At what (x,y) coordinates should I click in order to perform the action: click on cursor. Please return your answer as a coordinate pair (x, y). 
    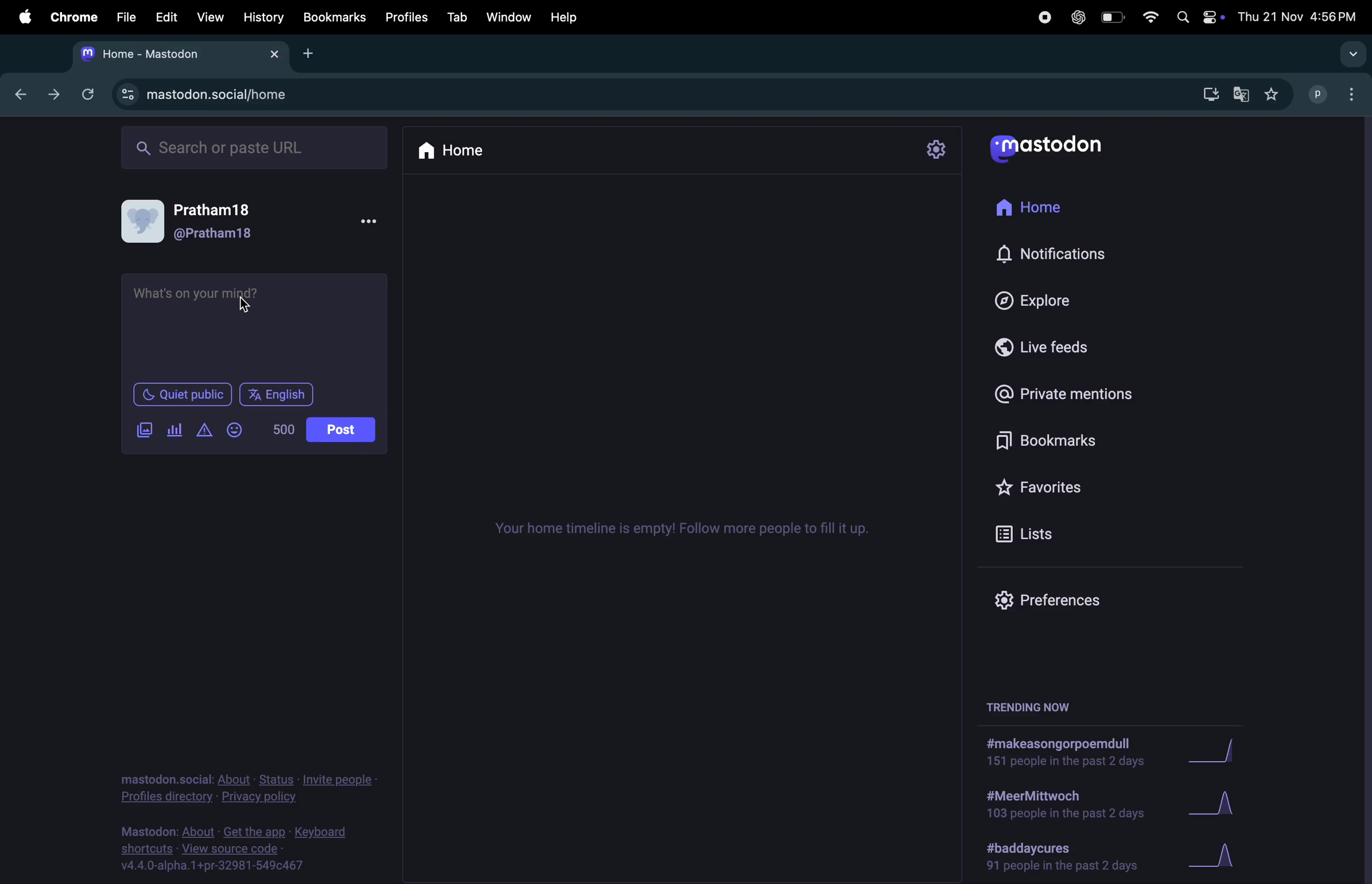
    Looking at the image, I should click on (246, 307).